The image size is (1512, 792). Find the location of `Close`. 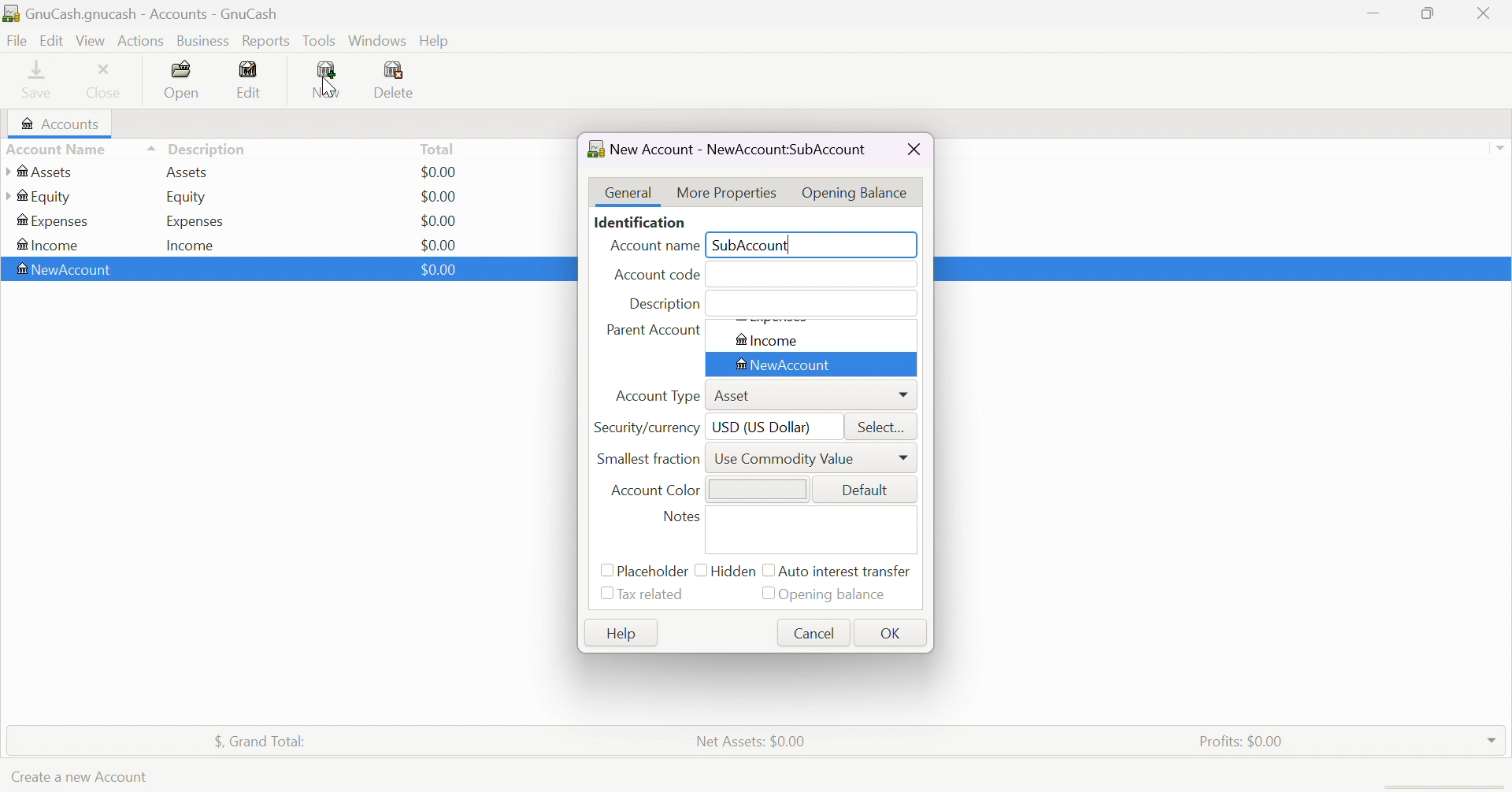

Close is located at coordinates (1485, 13).